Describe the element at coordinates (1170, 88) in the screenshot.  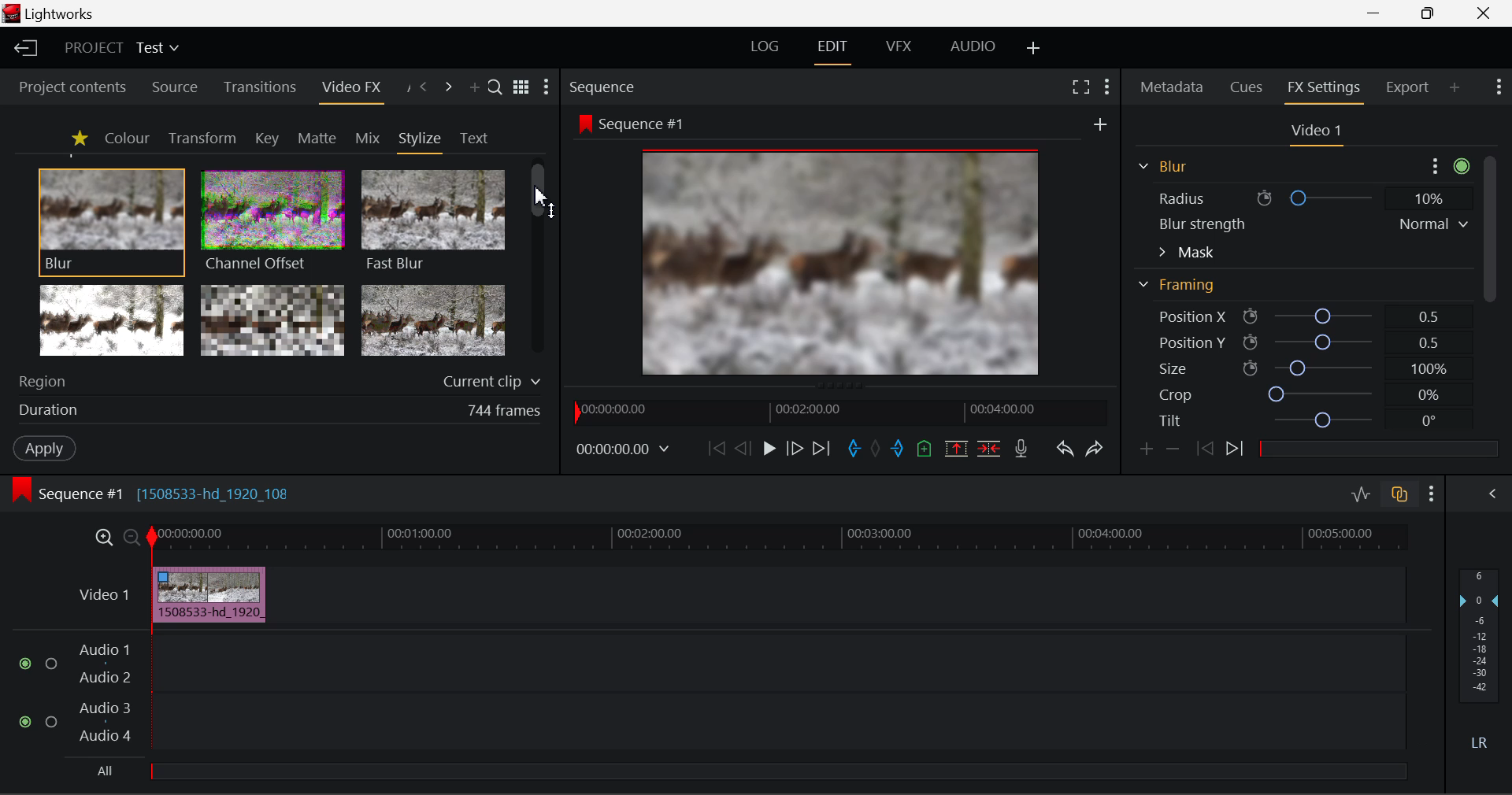
I see `Metadata Panel` at that location.